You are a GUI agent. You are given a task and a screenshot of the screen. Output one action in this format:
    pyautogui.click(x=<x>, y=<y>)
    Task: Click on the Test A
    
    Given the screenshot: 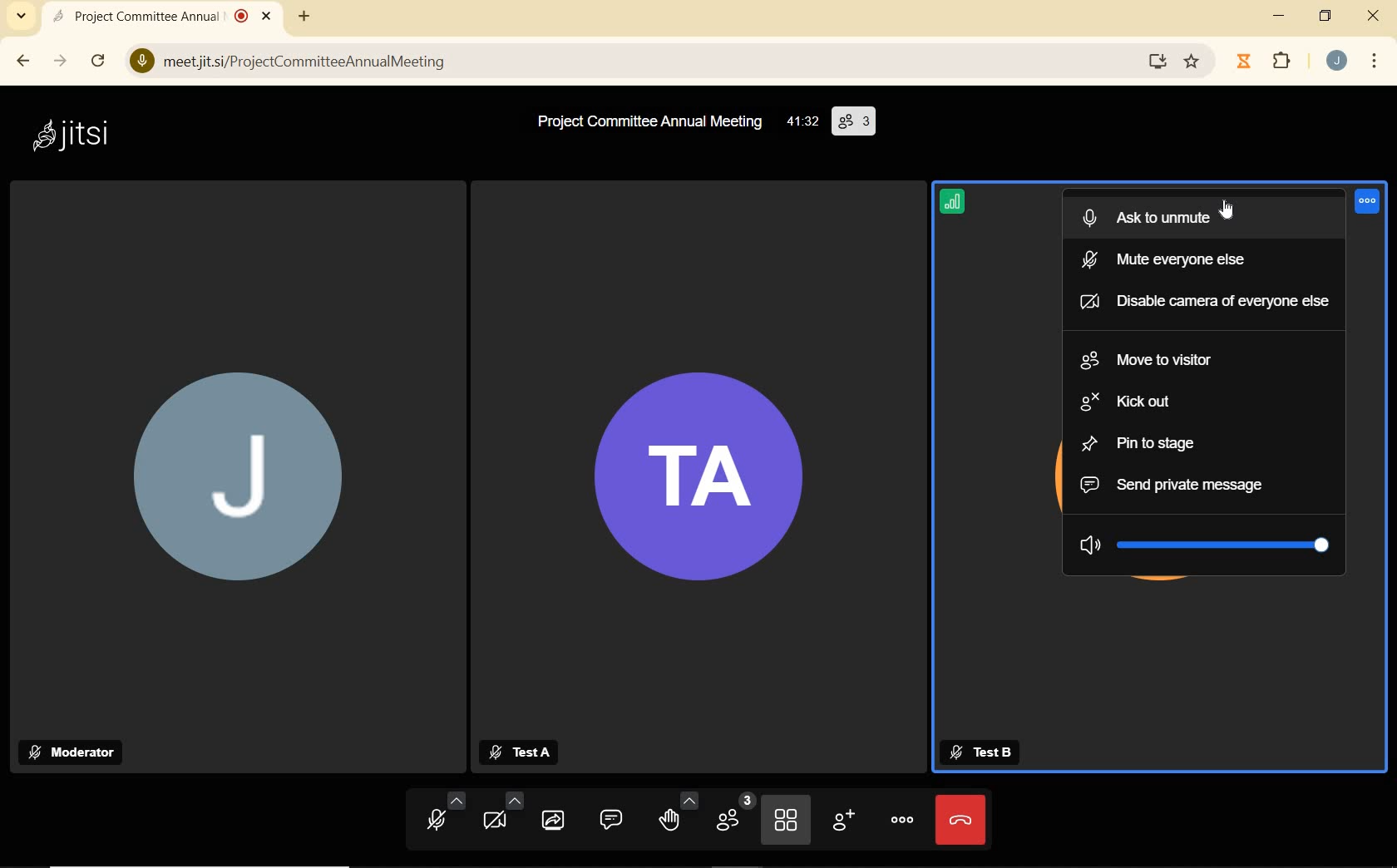 What is the action you would take?
    pyautogui.click(x=518, y=753)
    